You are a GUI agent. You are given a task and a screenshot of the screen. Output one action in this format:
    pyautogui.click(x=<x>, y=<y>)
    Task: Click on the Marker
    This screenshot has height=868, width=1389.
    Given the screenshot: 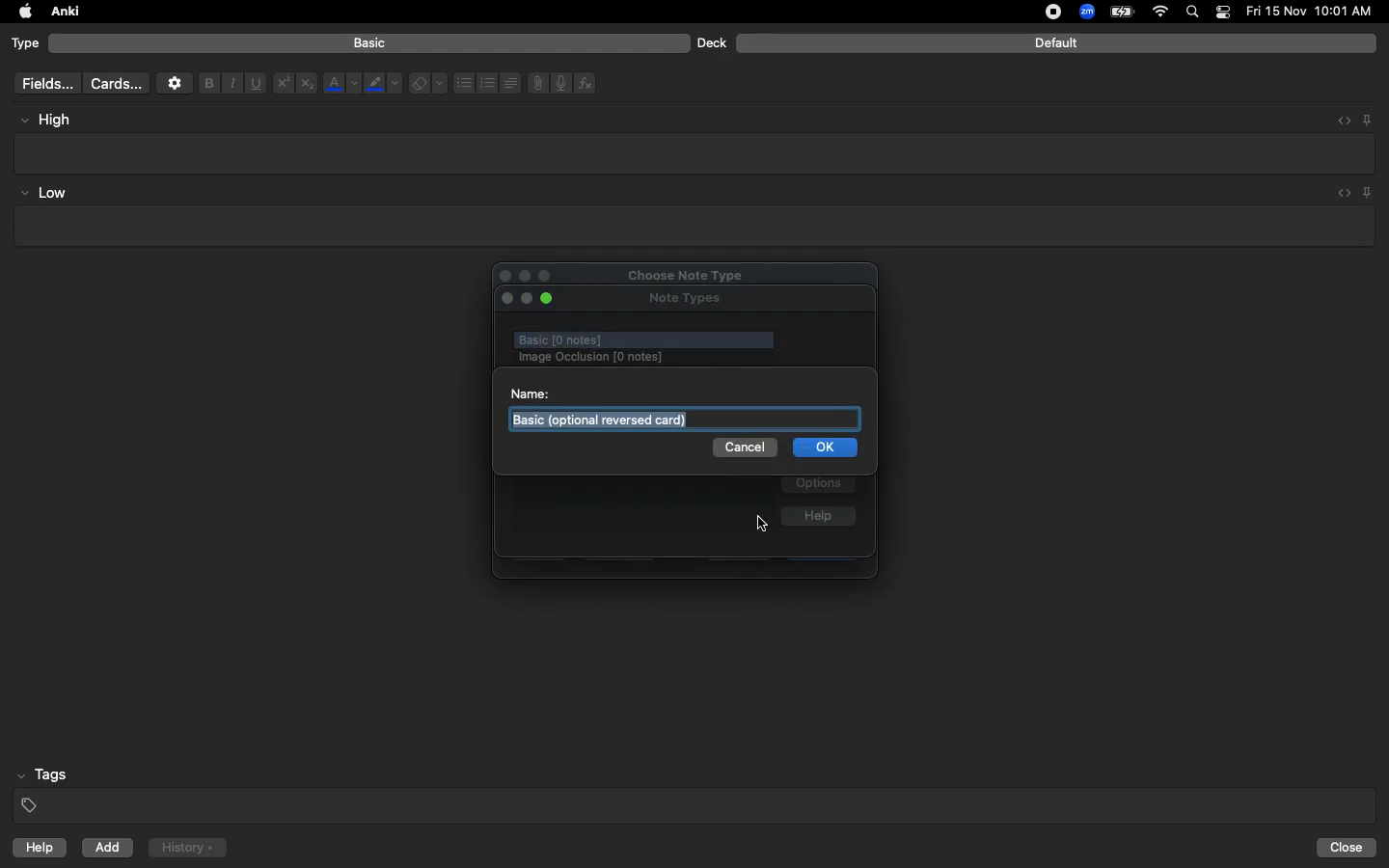 What is the action you would take?
    pyautogui.click(x=383, y=85)
    